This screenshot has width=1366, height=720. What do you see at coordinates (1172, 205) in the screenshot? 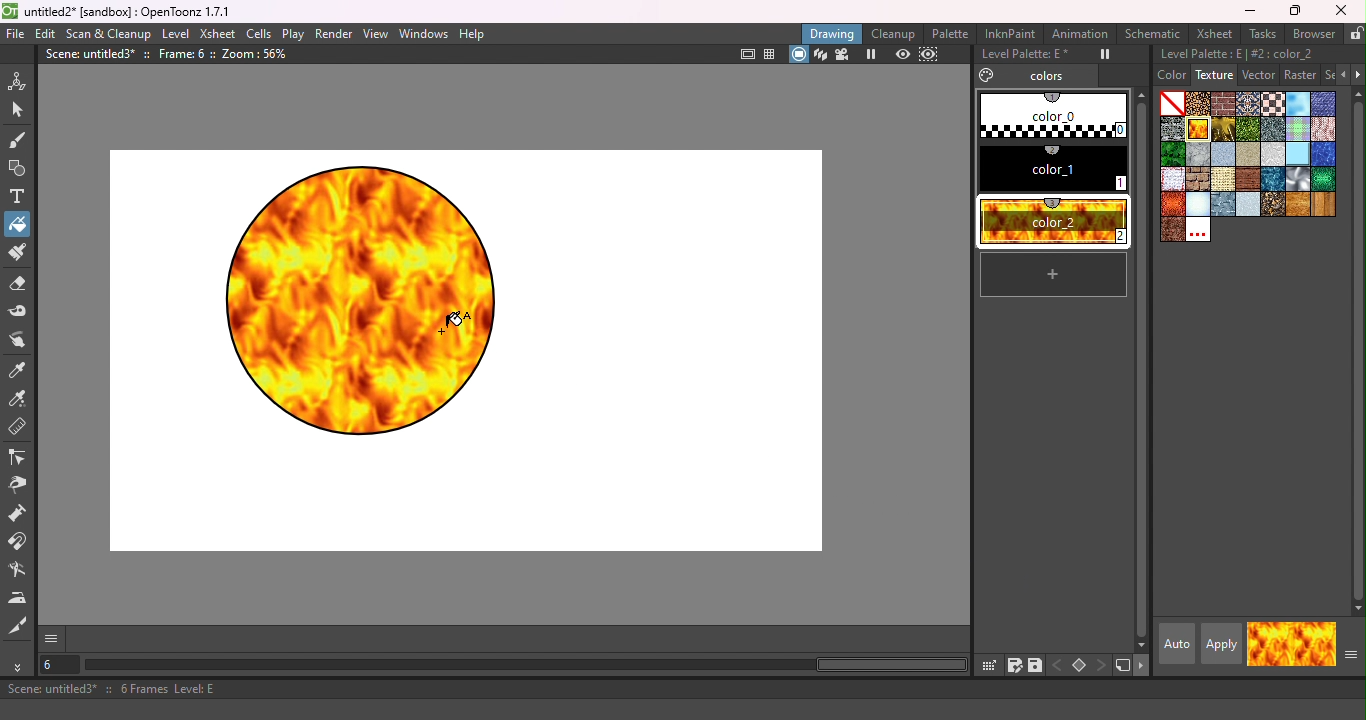
I see `snakeskinred.bmp` at bounding box center [1172, 205].